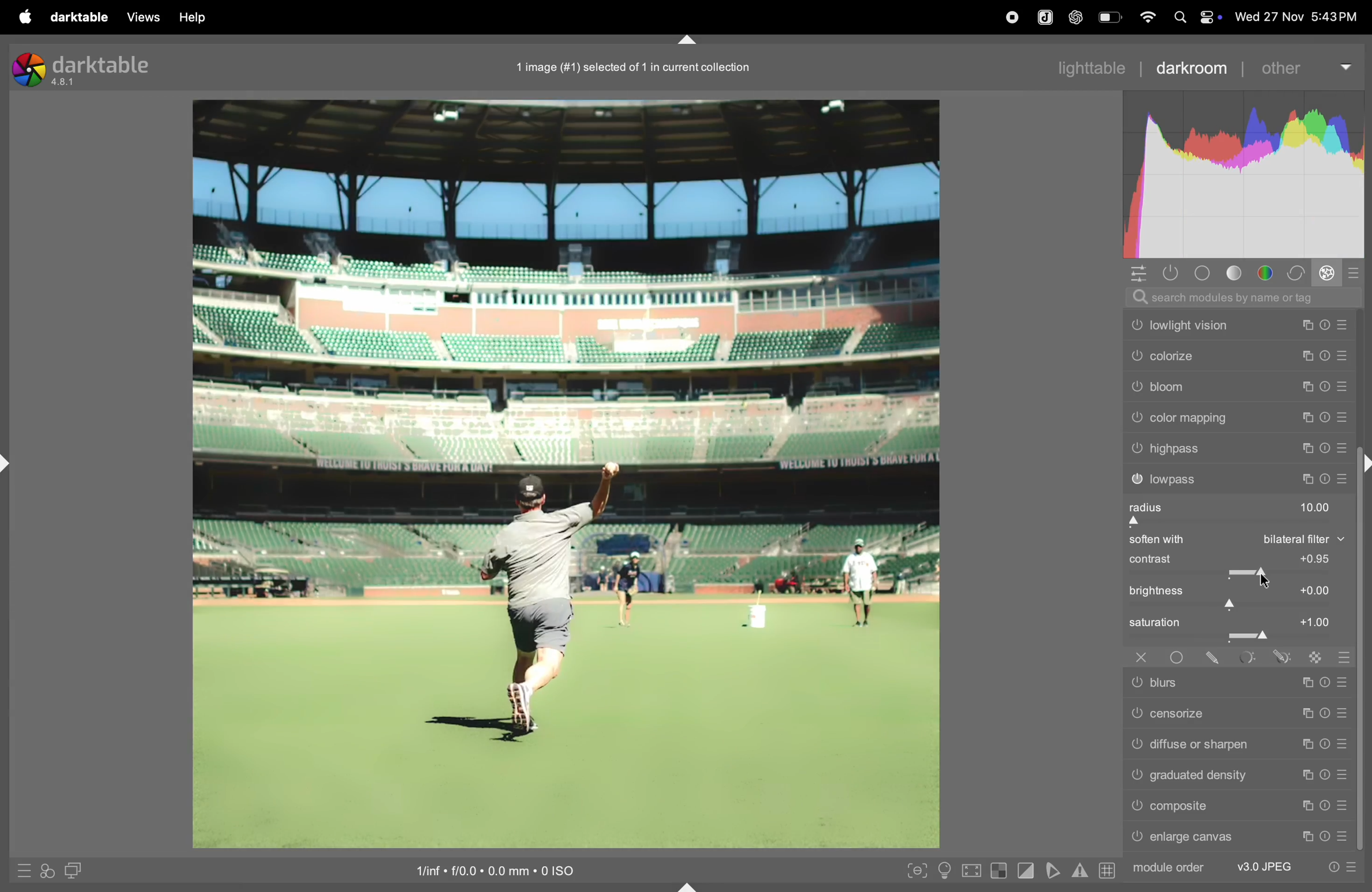 The width and height of the screenshot is (1372, 892). What do you see at coordinates (1242, 296) in the screenshot?
I see `searchbar` at bounding box center [1242, 296].